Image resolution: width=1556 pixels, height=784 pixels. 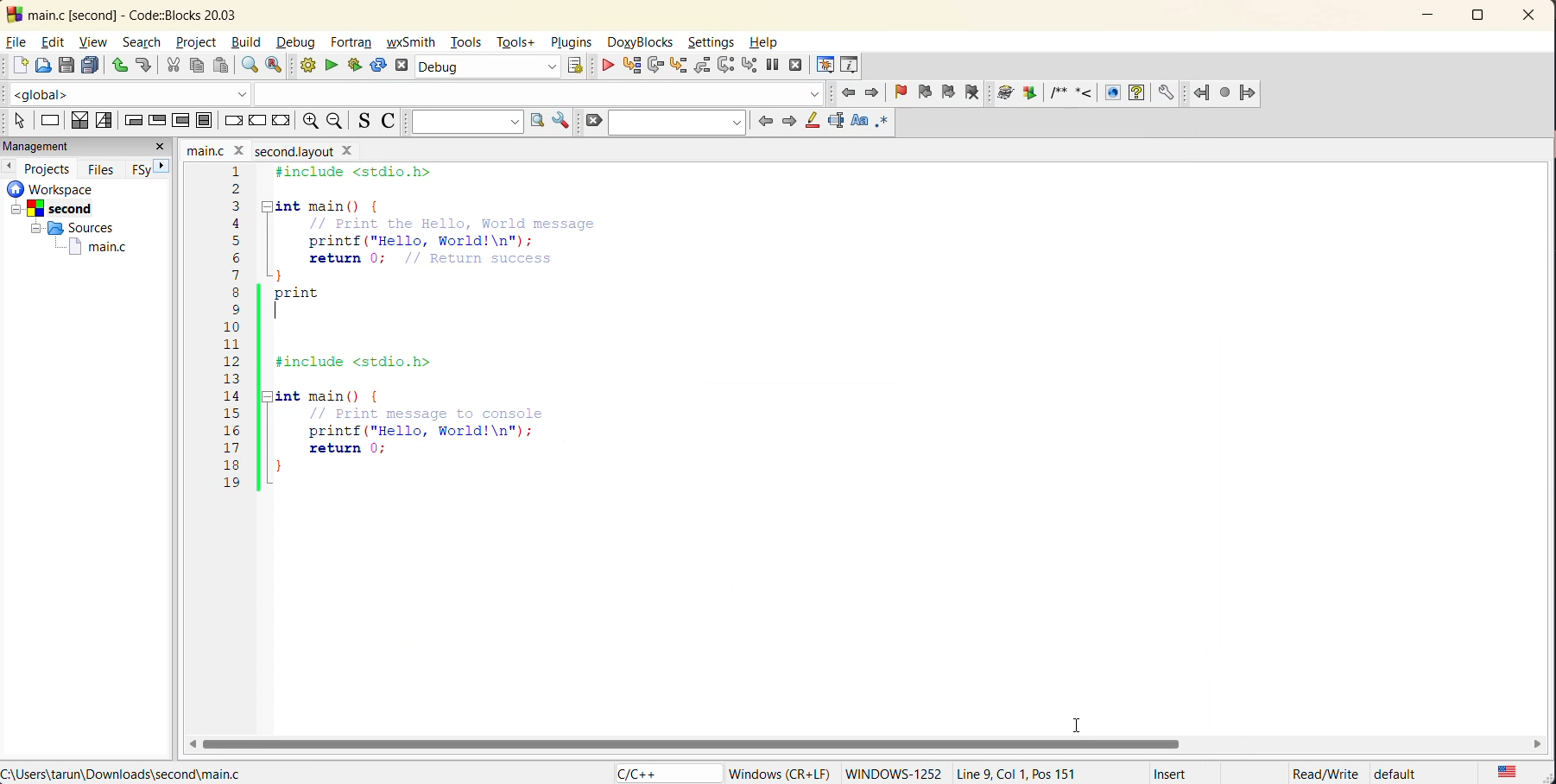 What do you see at coordinates (247, 66) in the screenshot?
I see `find` at bounding box center [247, 66].